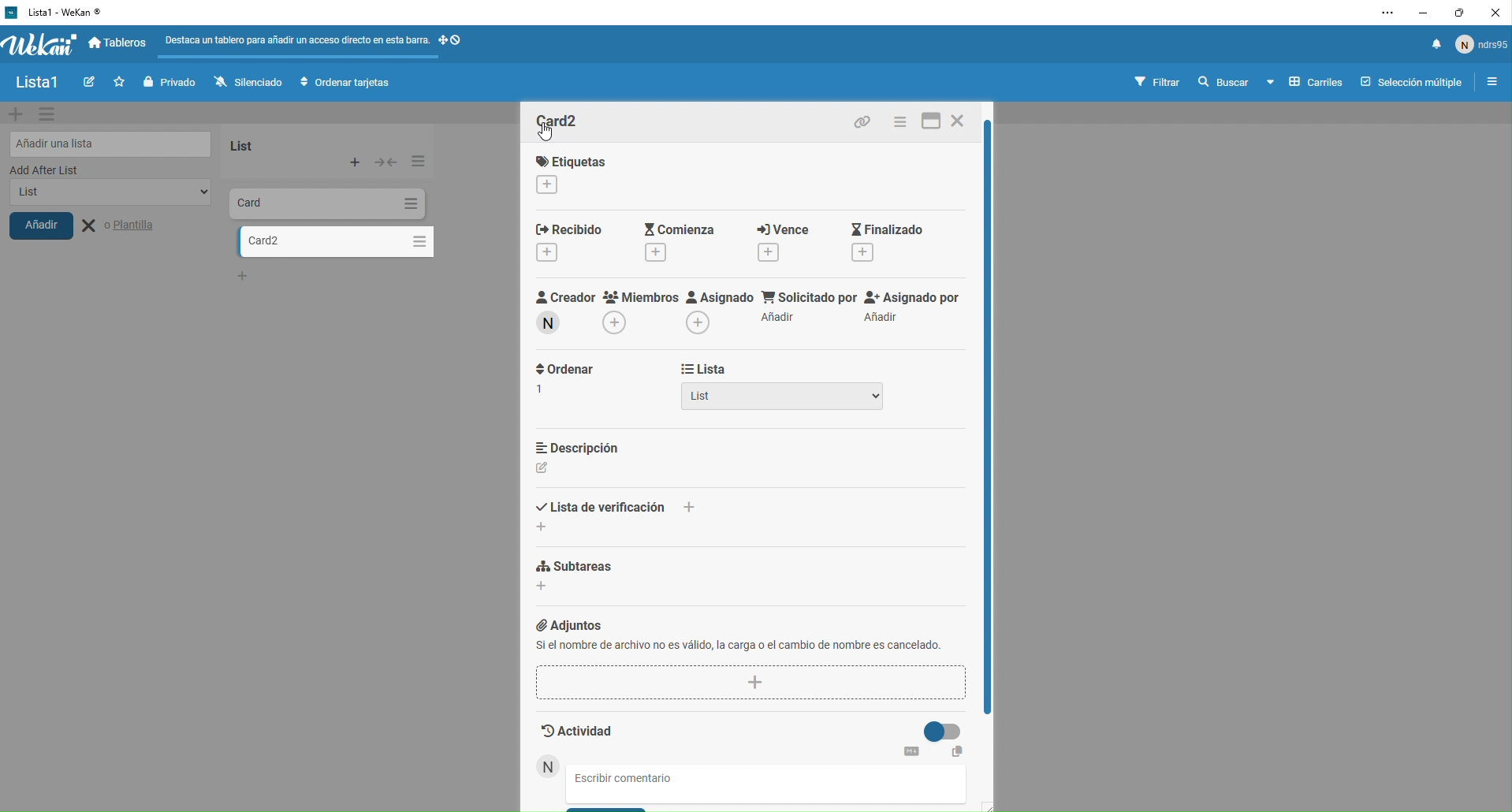 The image size is (1512, 812). I want to click on añadir lista, so click(107, 142).